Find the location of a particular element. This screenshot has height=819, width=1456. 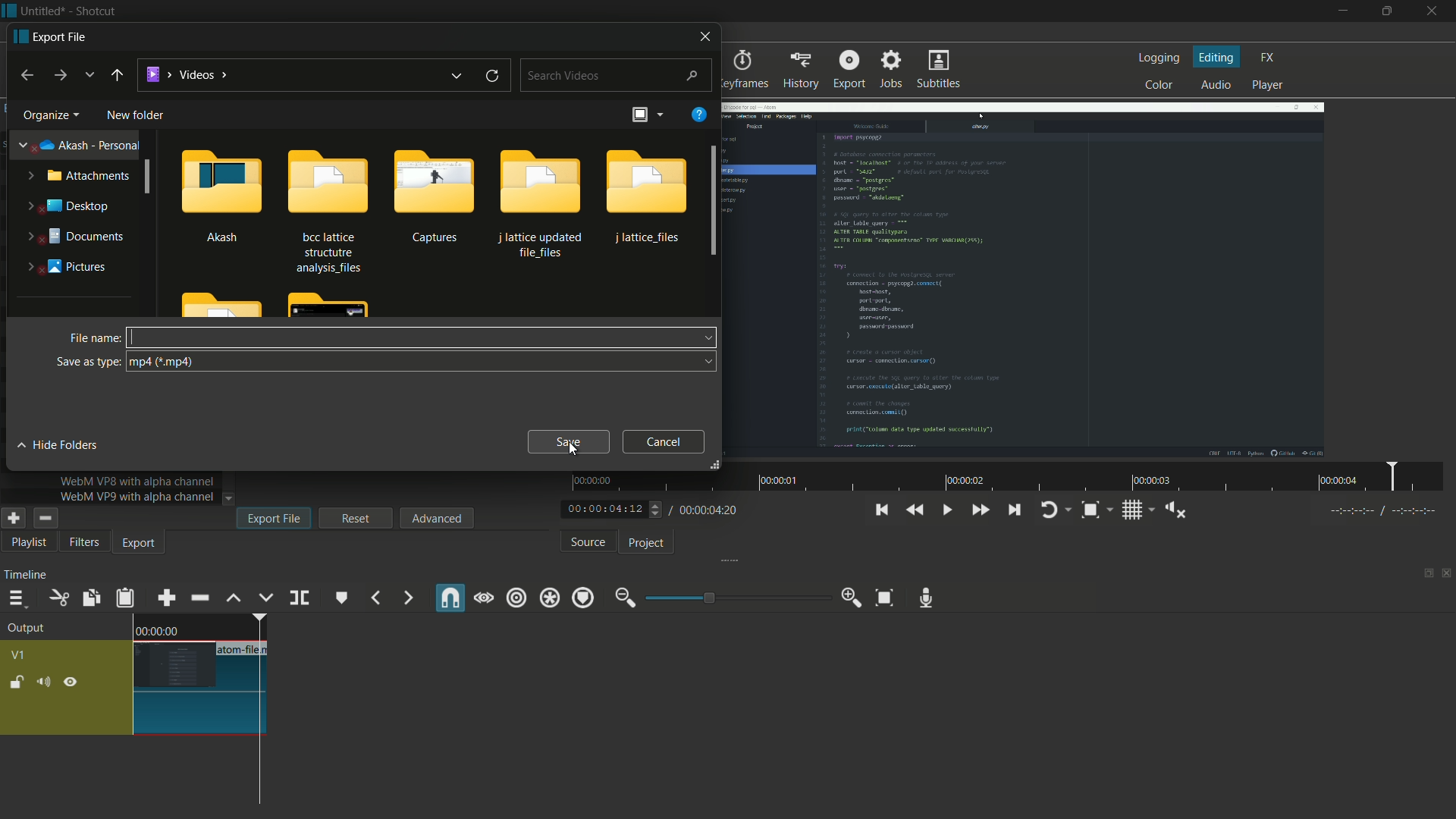

minimize is located at coordinates (1341, 11).